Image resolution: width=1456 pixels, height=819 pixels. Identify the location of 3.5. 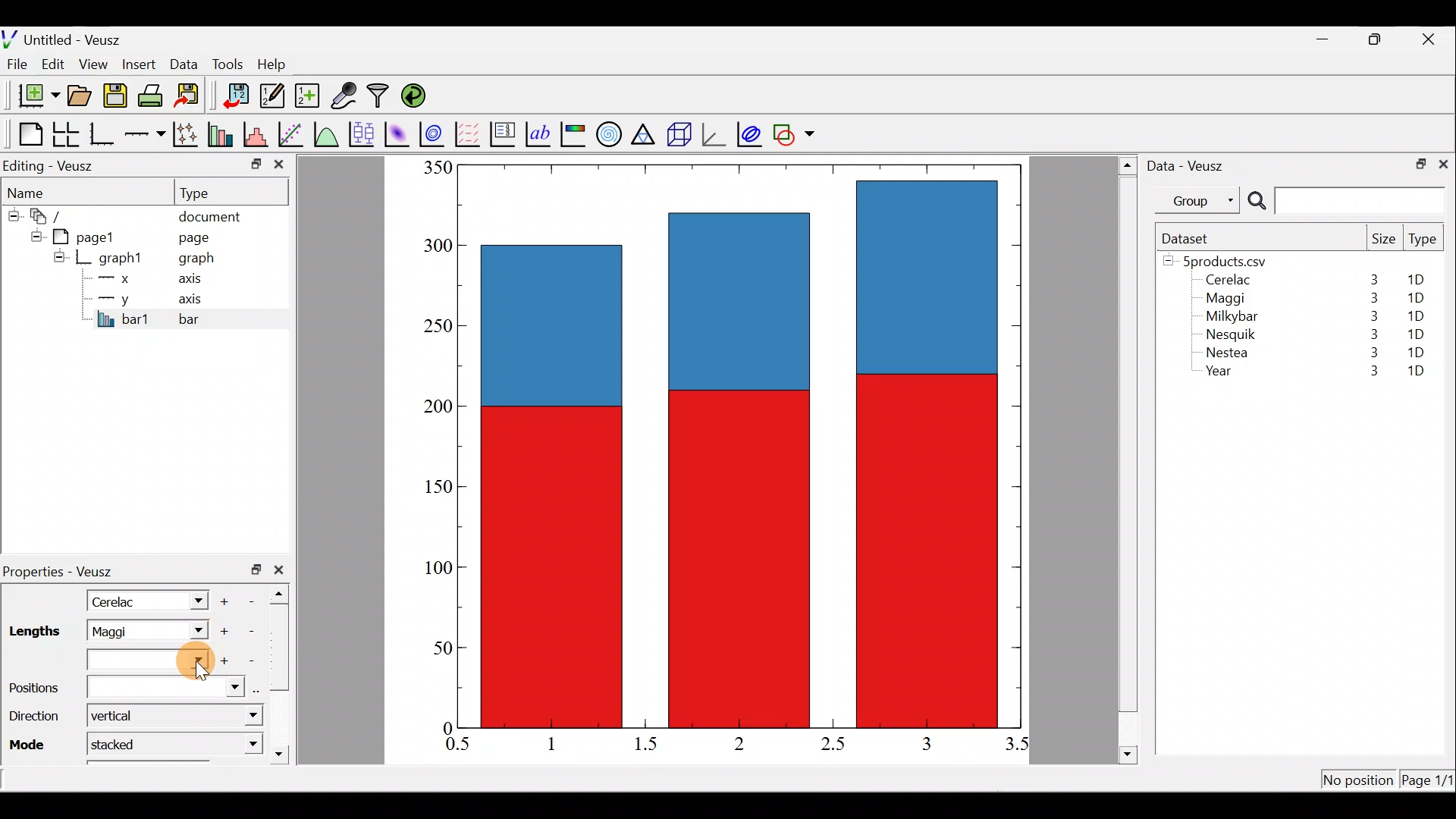
(1018, 747).